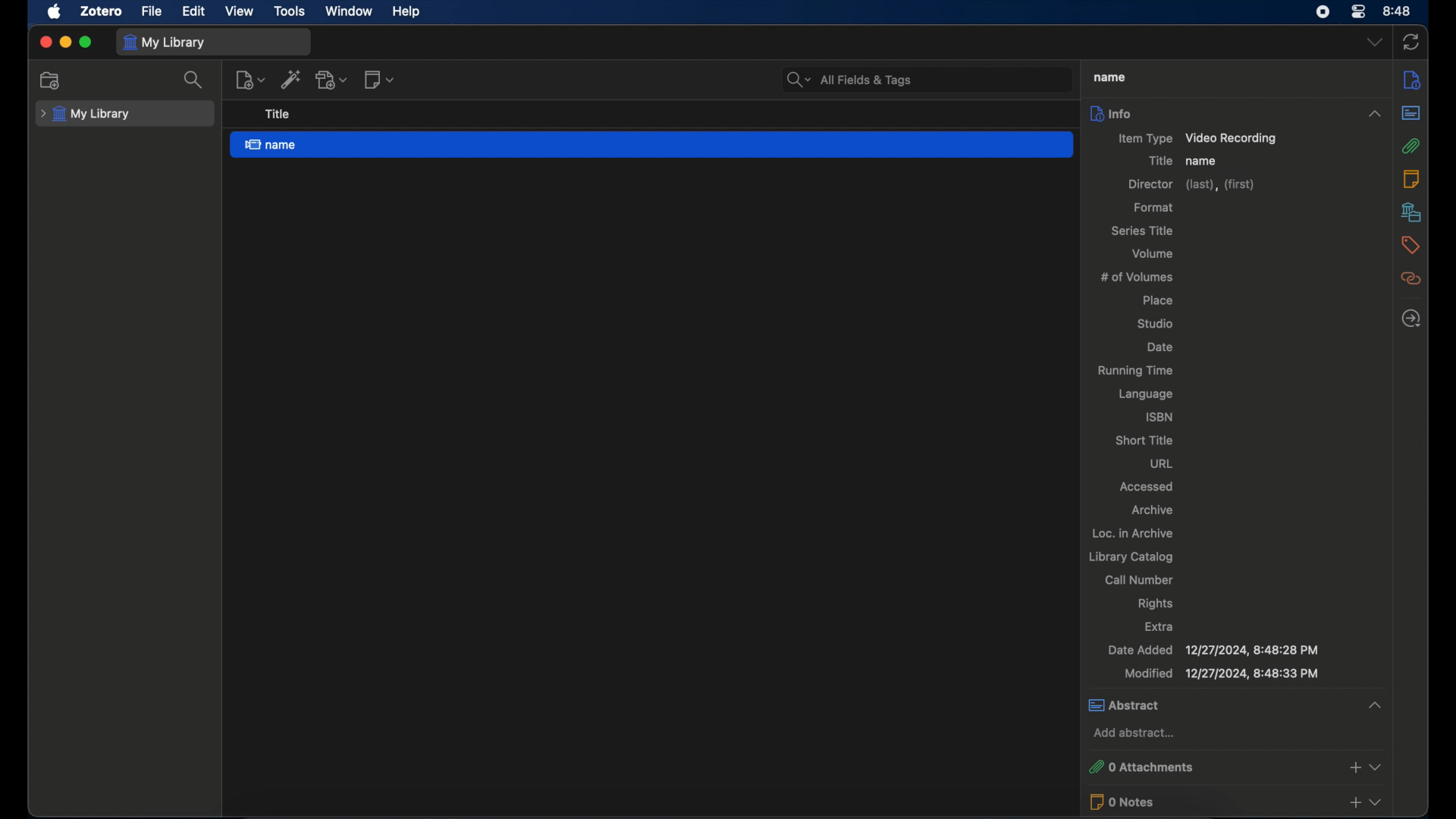 The height and width of the screenshot is (819, 1456). I want to click on name, so click(651, 146).